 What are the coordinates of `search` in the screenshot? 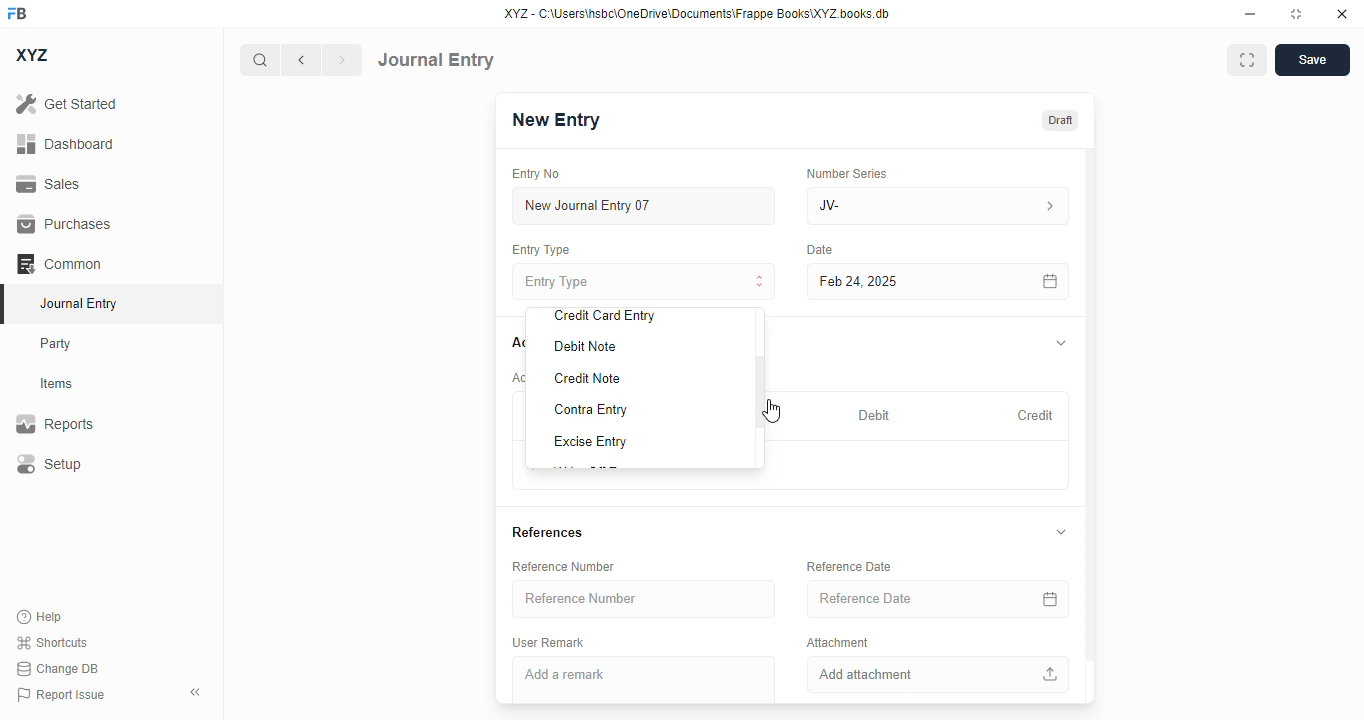 It's located at (259, 60).